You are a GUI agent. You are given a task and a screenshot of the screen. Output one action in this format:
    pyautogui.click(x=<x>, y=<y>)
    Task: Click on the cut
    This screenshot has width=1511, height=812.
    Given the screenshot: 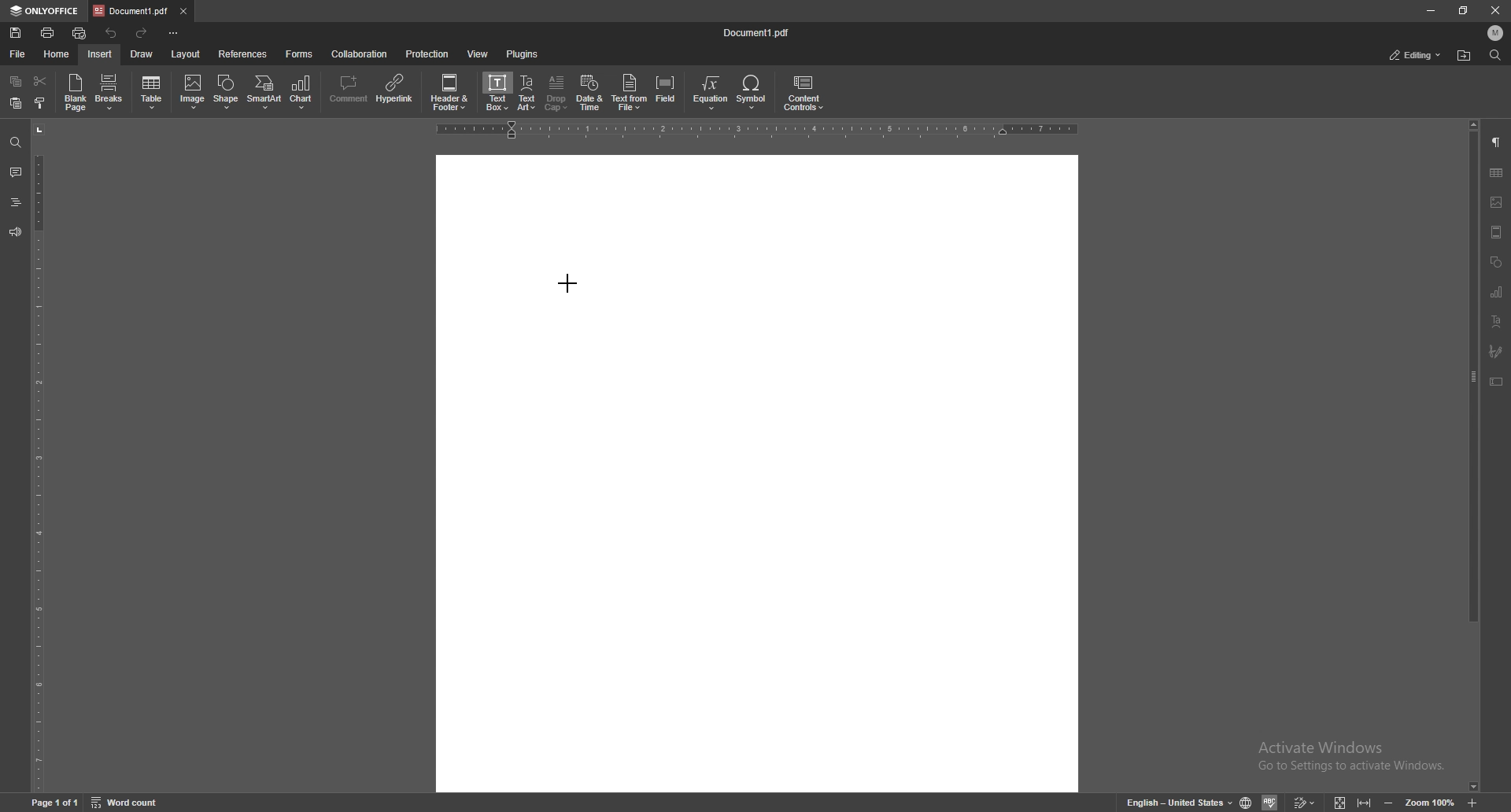 What is the action you would take?
    pyautogui.click(x=40, y=81)
    